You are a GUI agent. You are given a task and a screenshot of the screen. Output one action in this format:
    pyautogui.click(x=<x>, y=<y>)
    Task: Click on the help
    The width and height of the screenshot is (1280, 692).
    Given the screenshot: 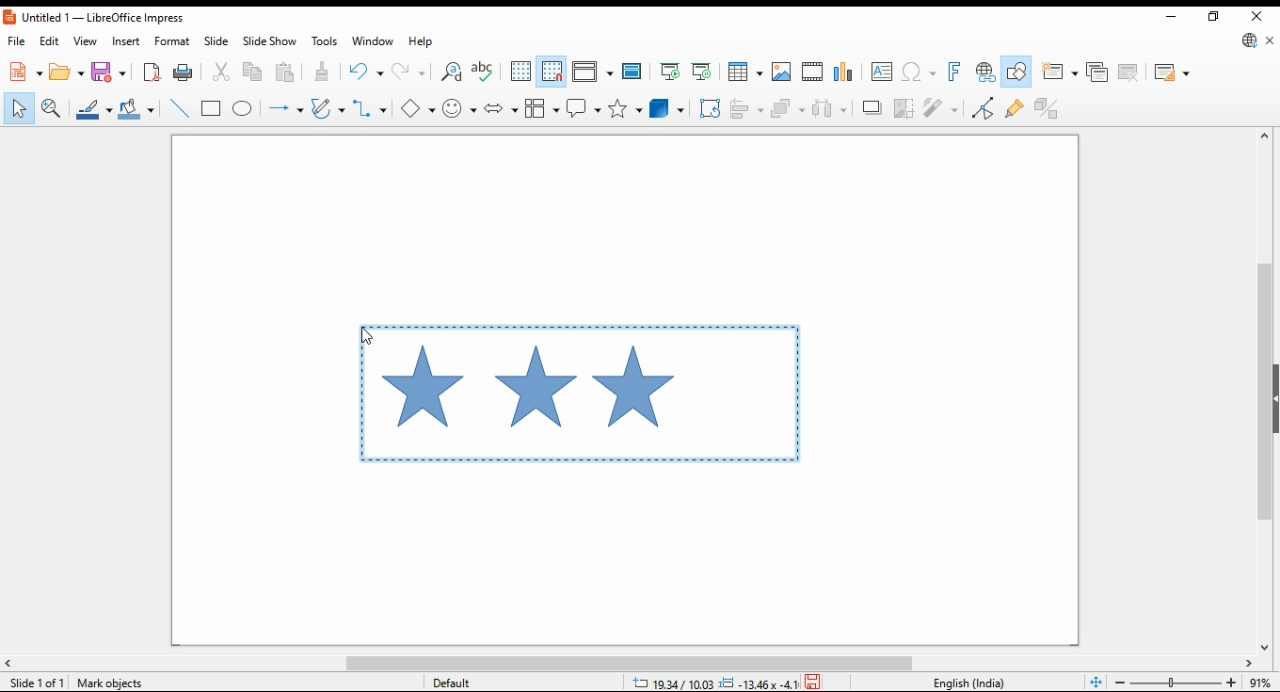 What is the action you would take?
    pyautogui.click(x=419, y=43)
    